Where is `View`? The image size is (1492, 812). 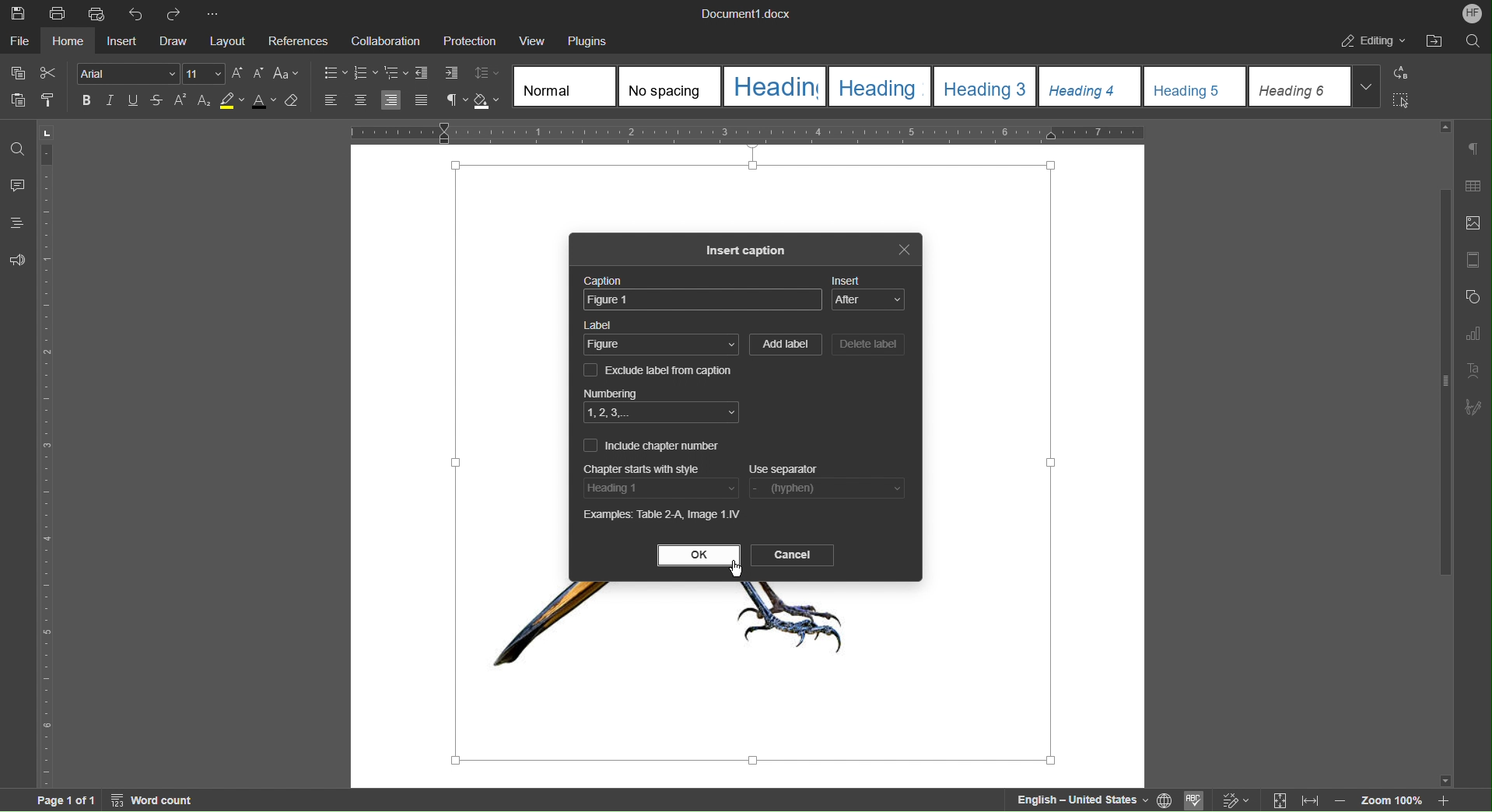 View is located at coordinates (534, 42).